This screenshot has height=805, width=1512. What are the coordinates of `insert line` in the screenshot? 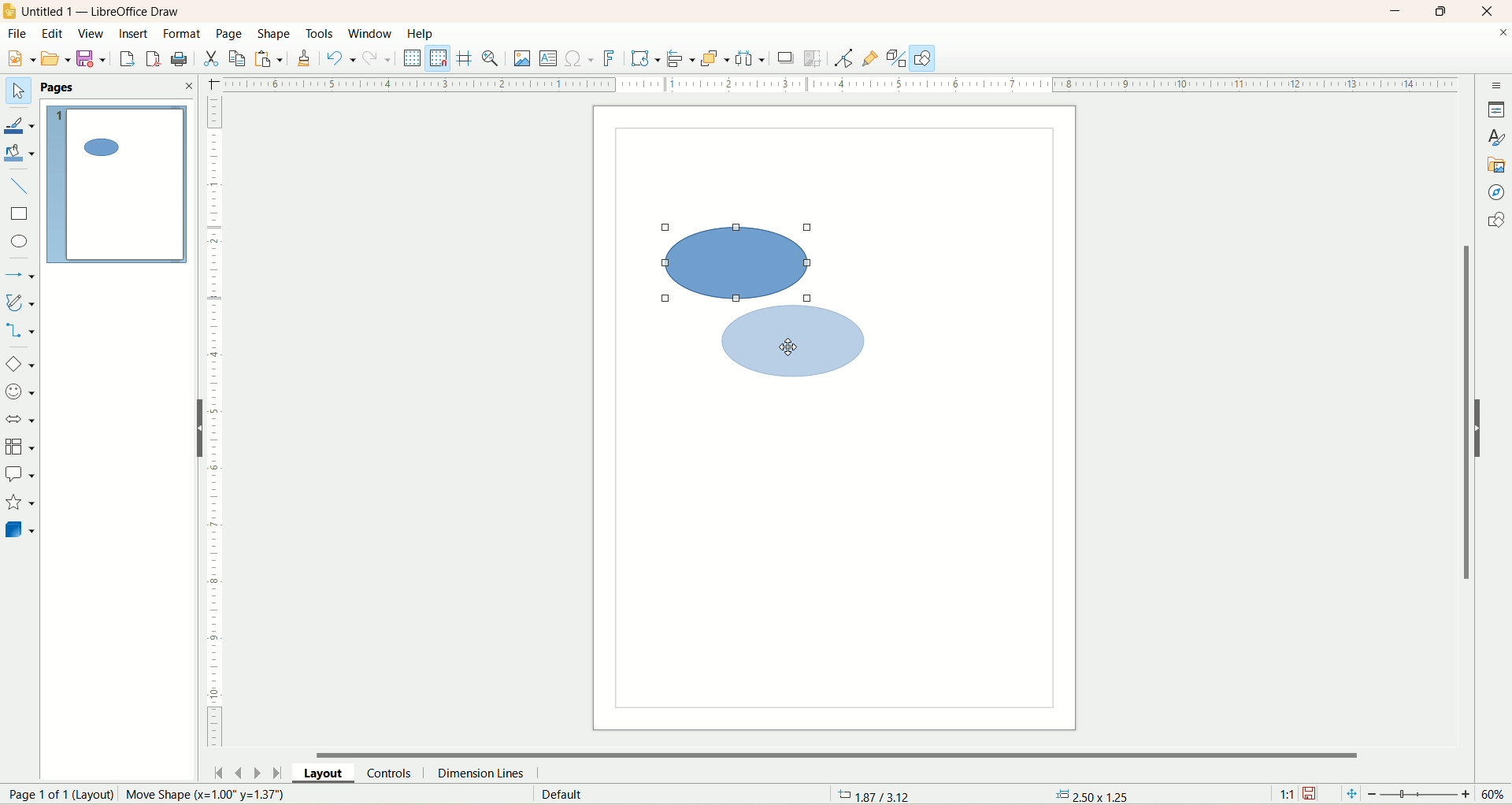 It's located at (19, 185).